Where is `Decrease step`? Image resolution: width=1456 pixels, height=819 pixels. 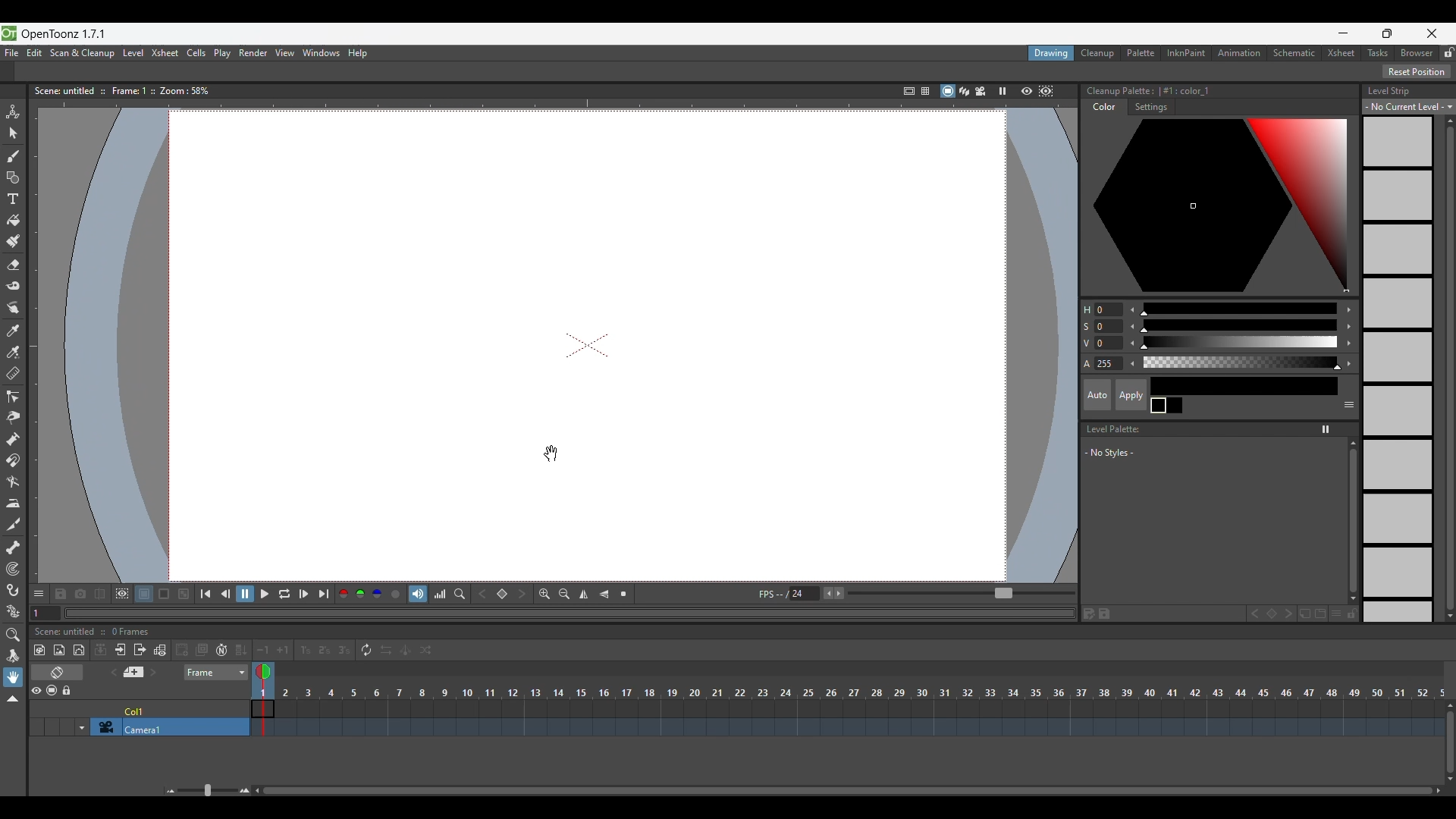
Decrease step is located at coordinates (262, 650).